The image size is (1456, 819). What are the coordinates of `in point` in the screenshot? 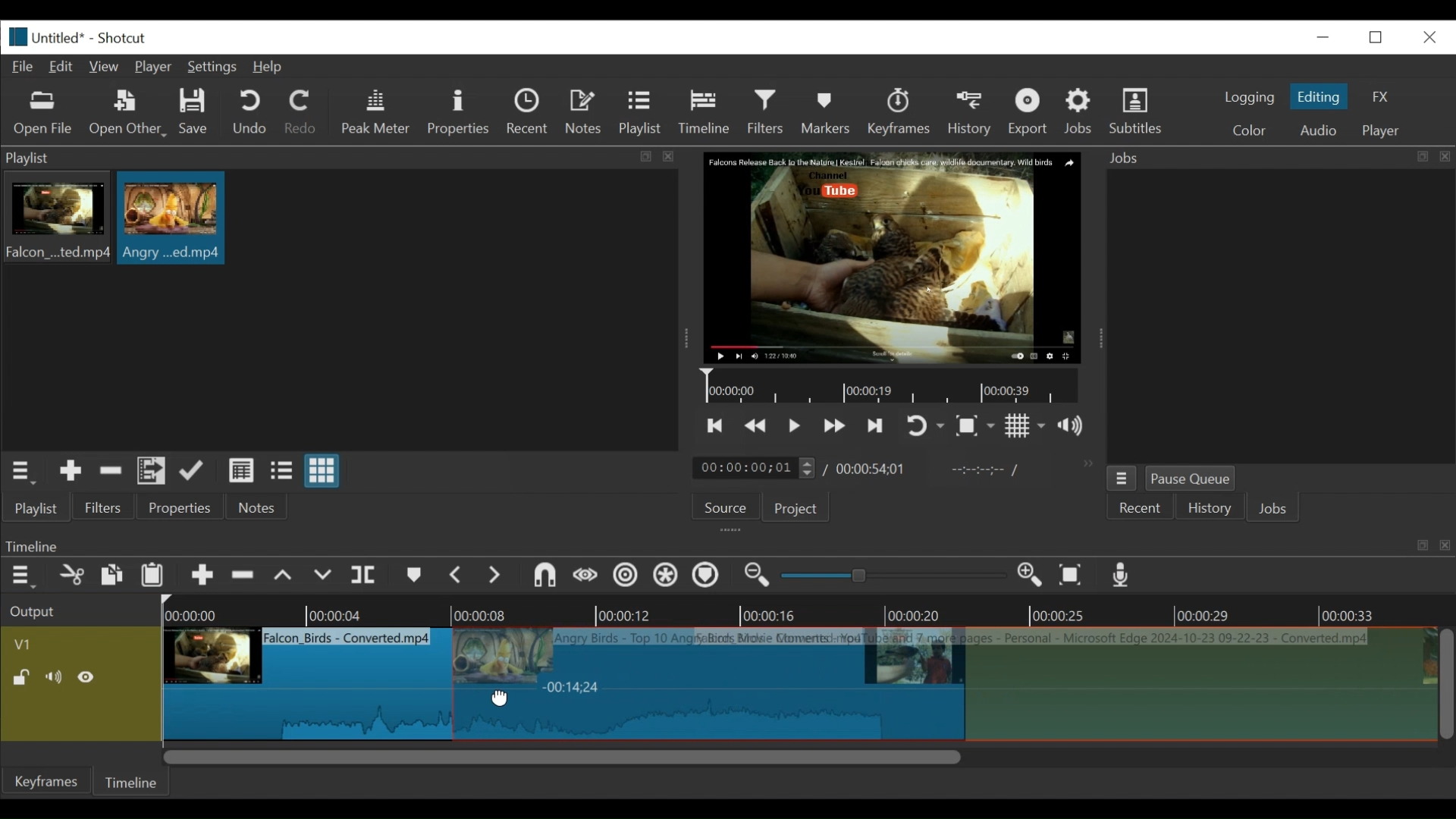 It's located at (981, 472).